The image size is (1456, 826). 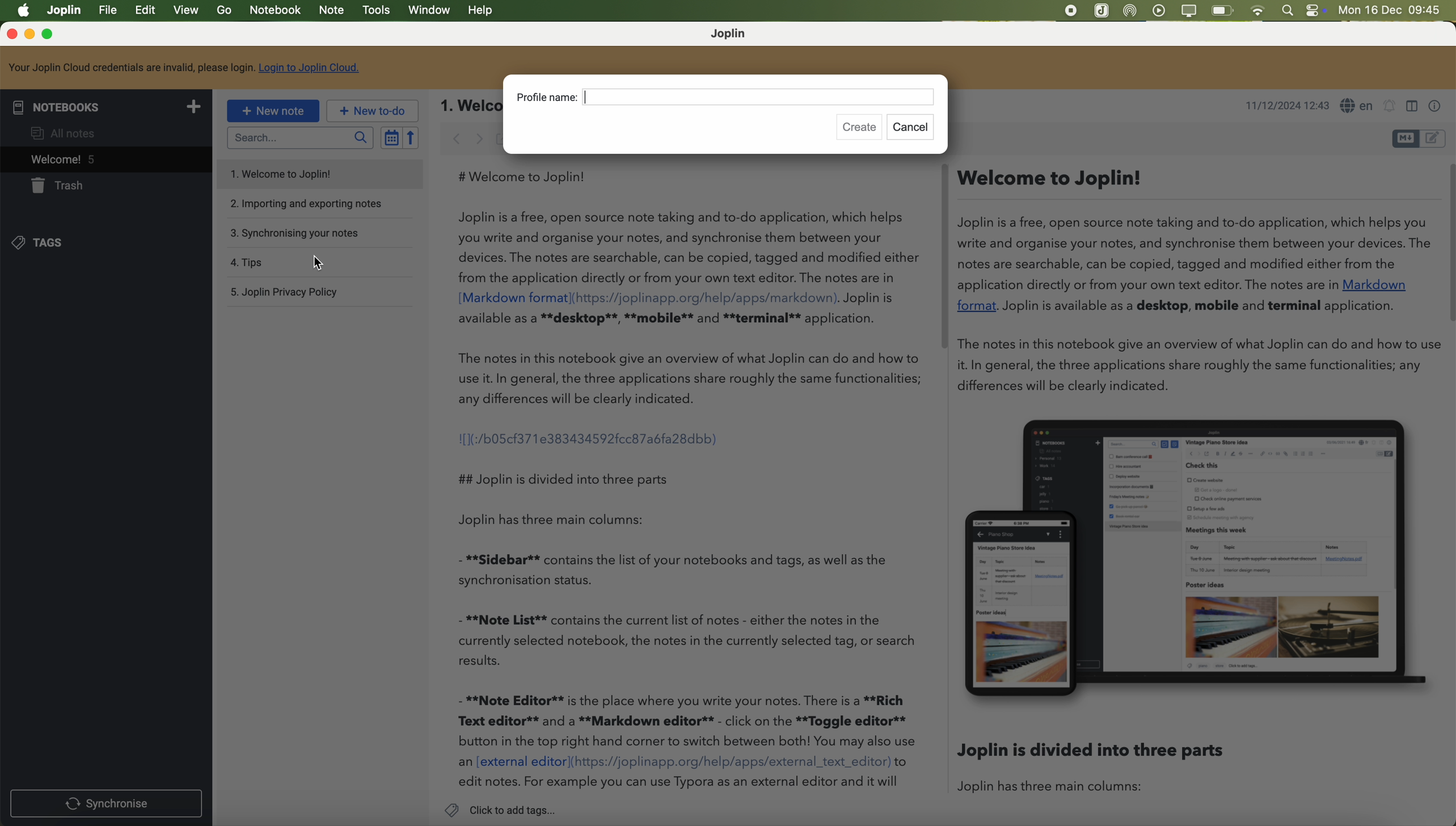 What do you see at coordinates (66, 131) in the screenshot?
I see `all notes` at bounding box center [66, 131].